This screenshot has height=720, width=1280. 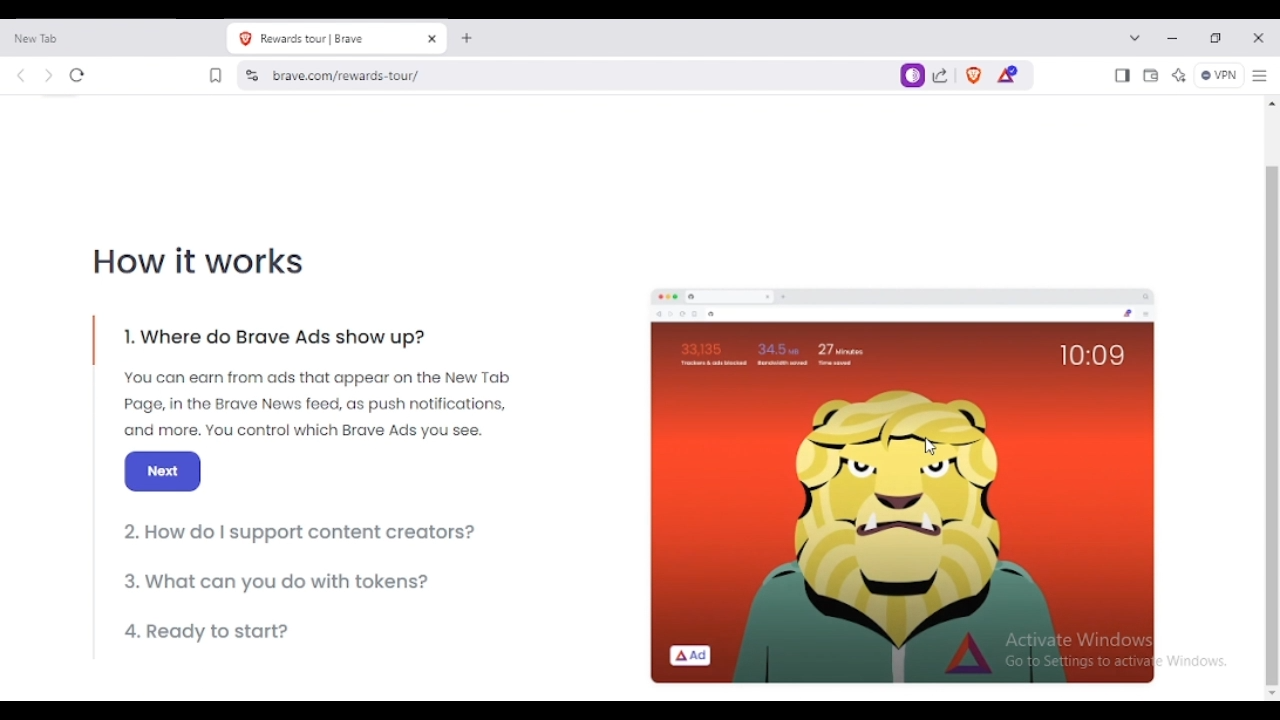 What do you see at coordinates (1135, 37) in the screenshot?
I see `search tabs` at bounding box center [1135, 37].